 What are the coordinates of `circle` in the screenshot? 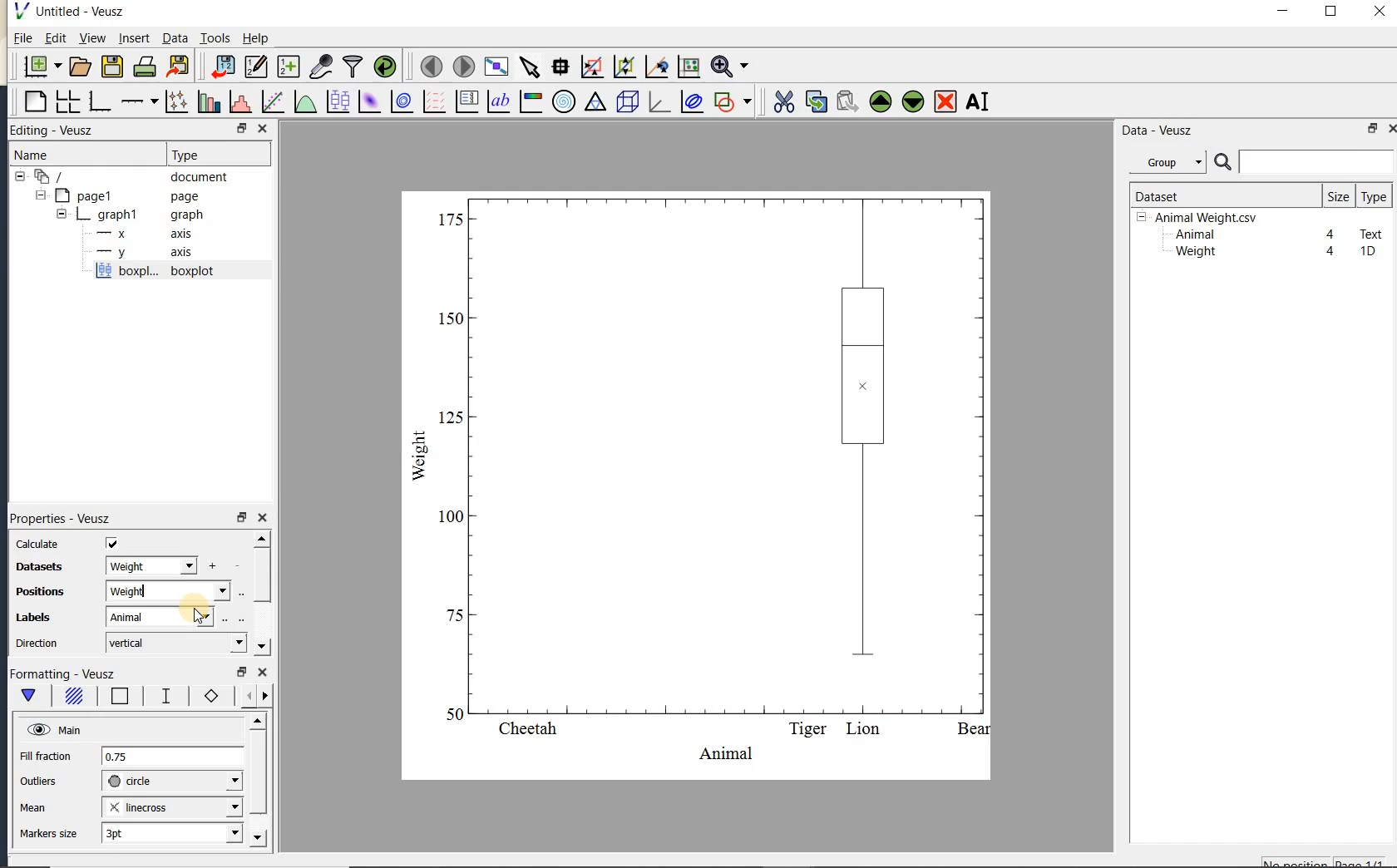 It's located at (172, 782).